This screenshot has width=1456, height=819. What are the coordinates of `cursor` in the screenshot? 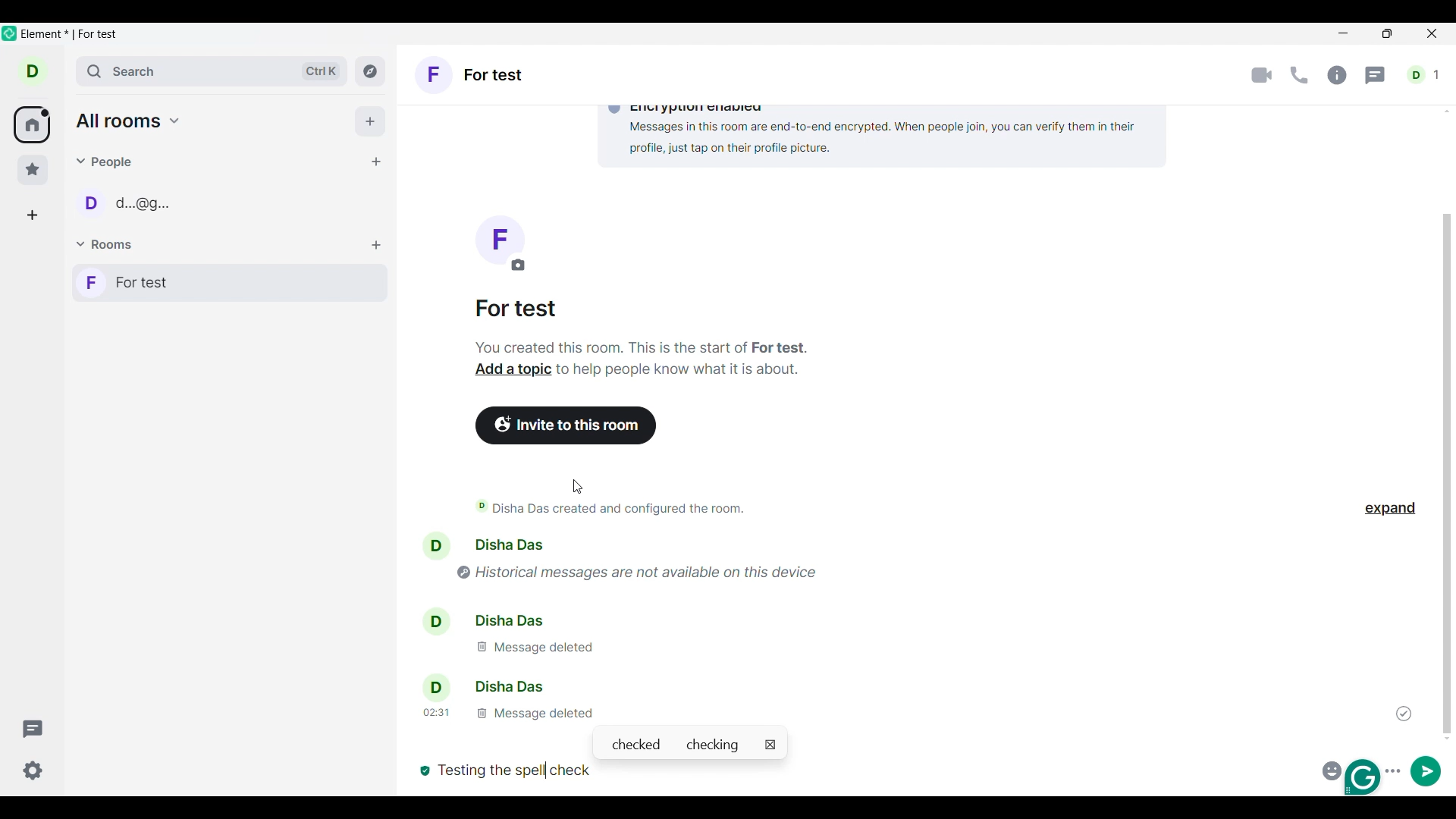 It's located at (544, 767).